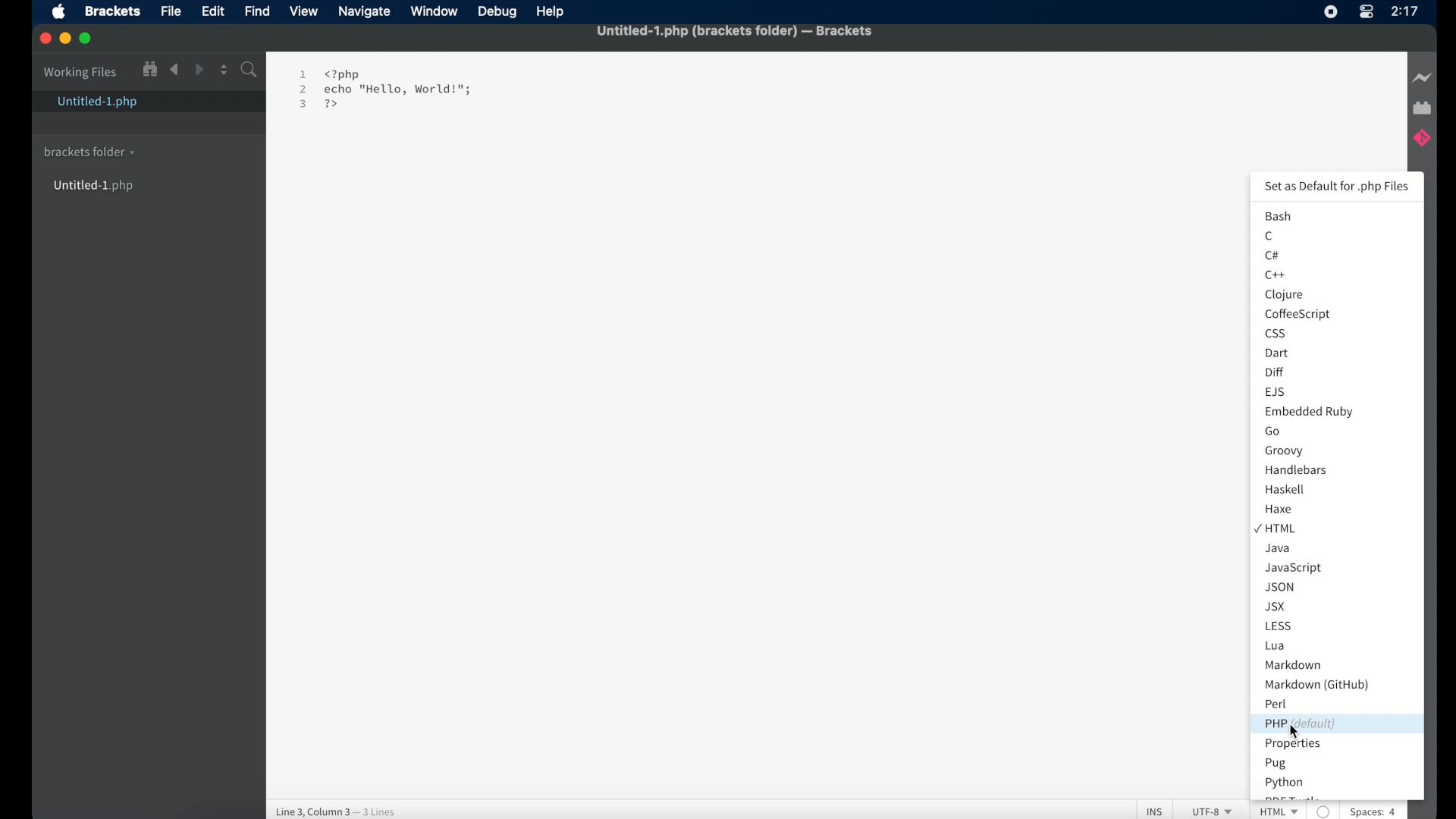 This screenshot has width=1456, height=819. What do you see at coordinates (1310, 412) in the screenshot?
I see `embedded ruby` at bounding box center [1310, 412].